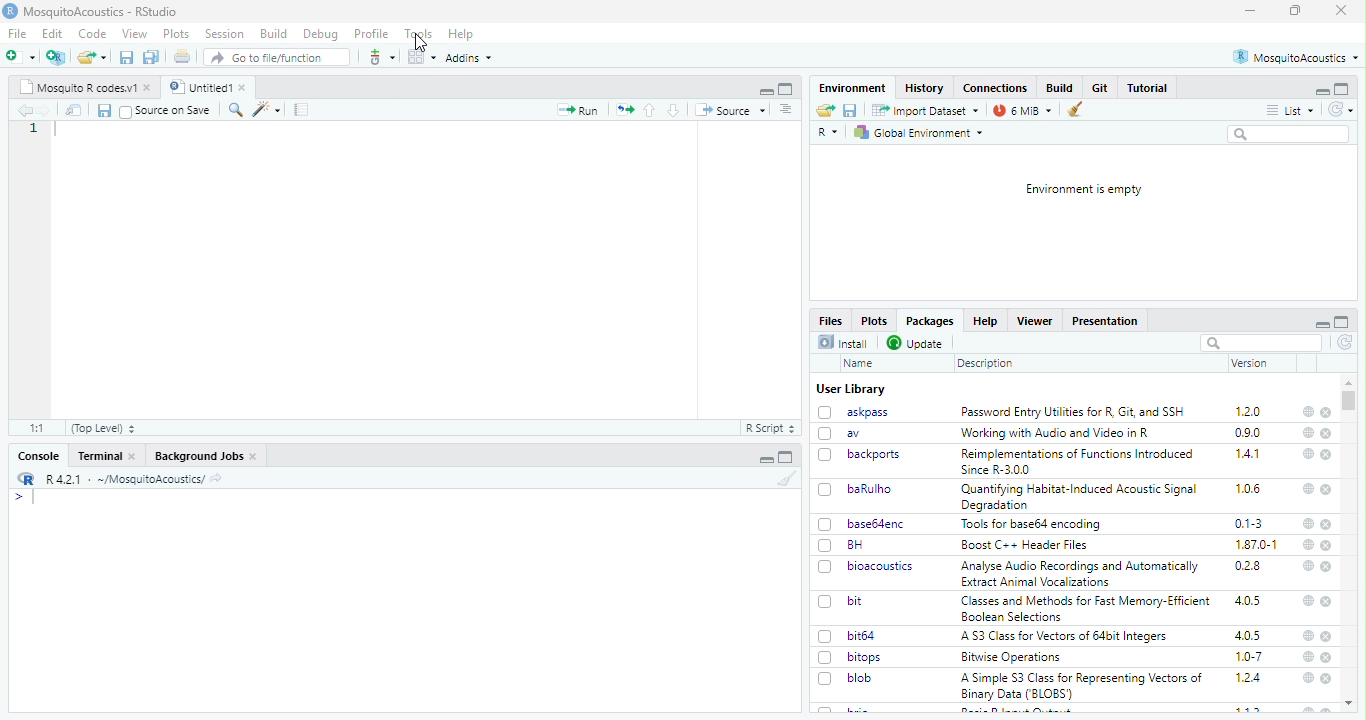  I want to click on Run, so click(577, 110).